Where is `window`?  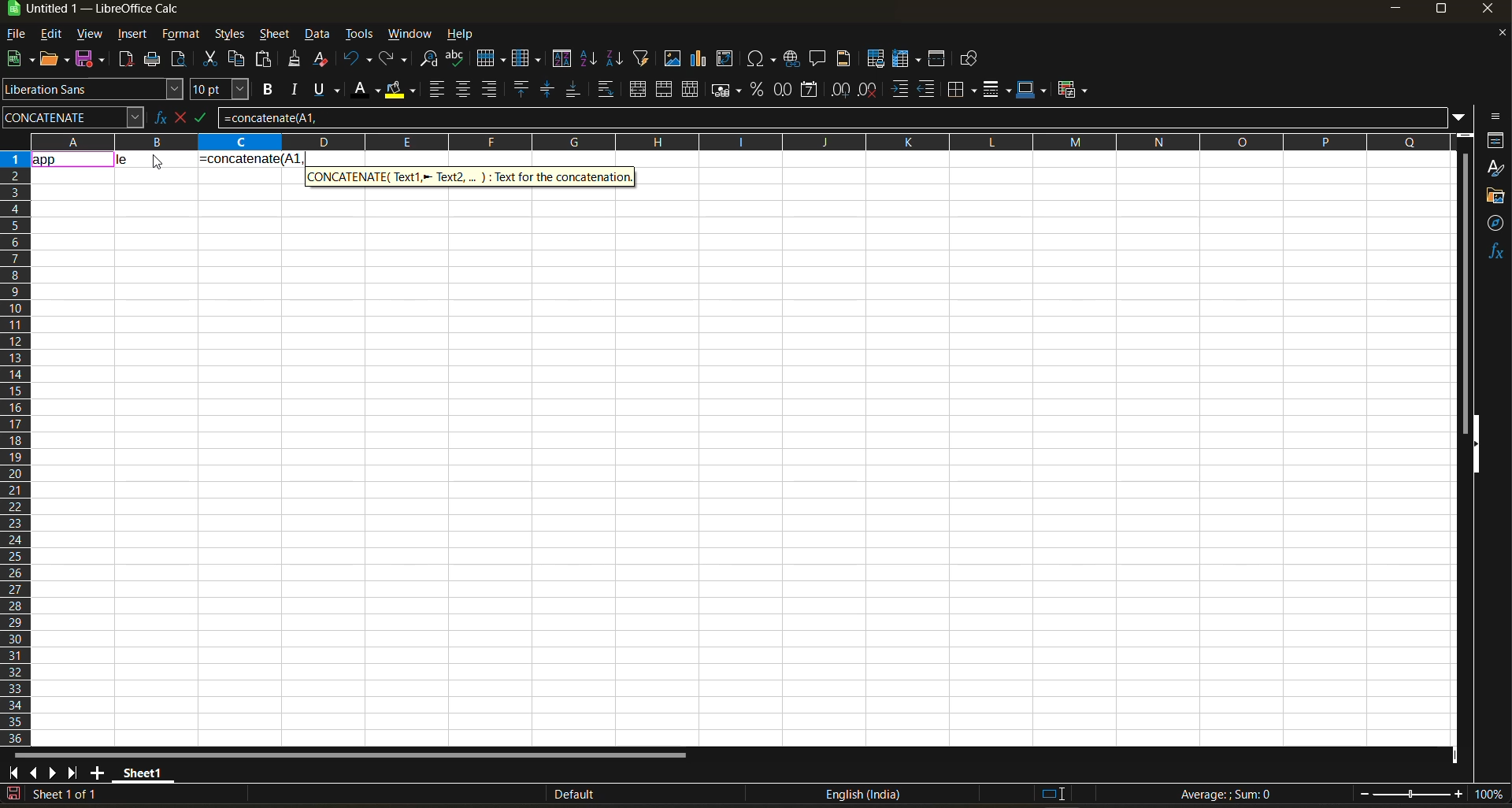 window is located at coordinates (411, 34).